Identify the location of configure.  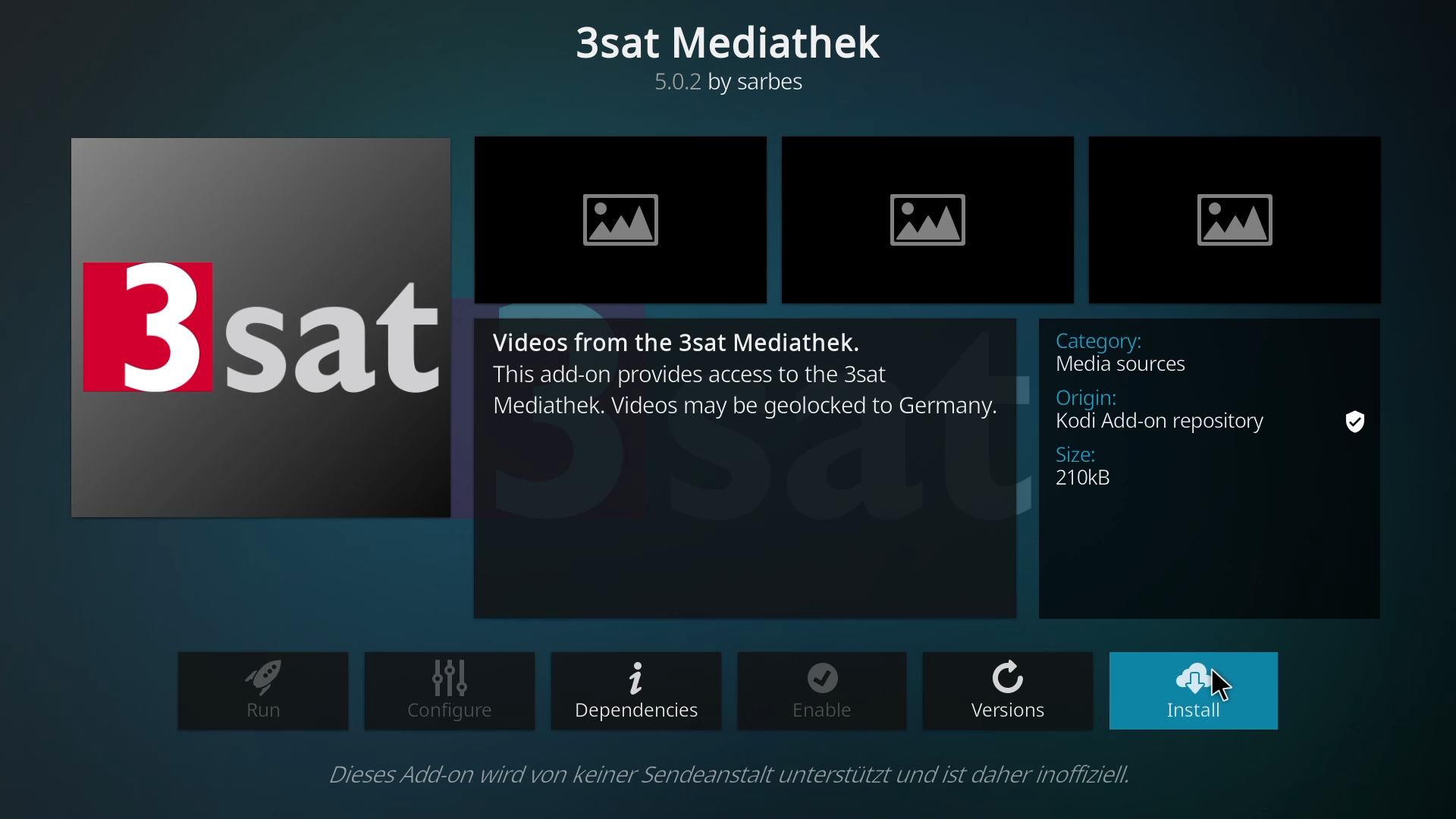
(455, 691).